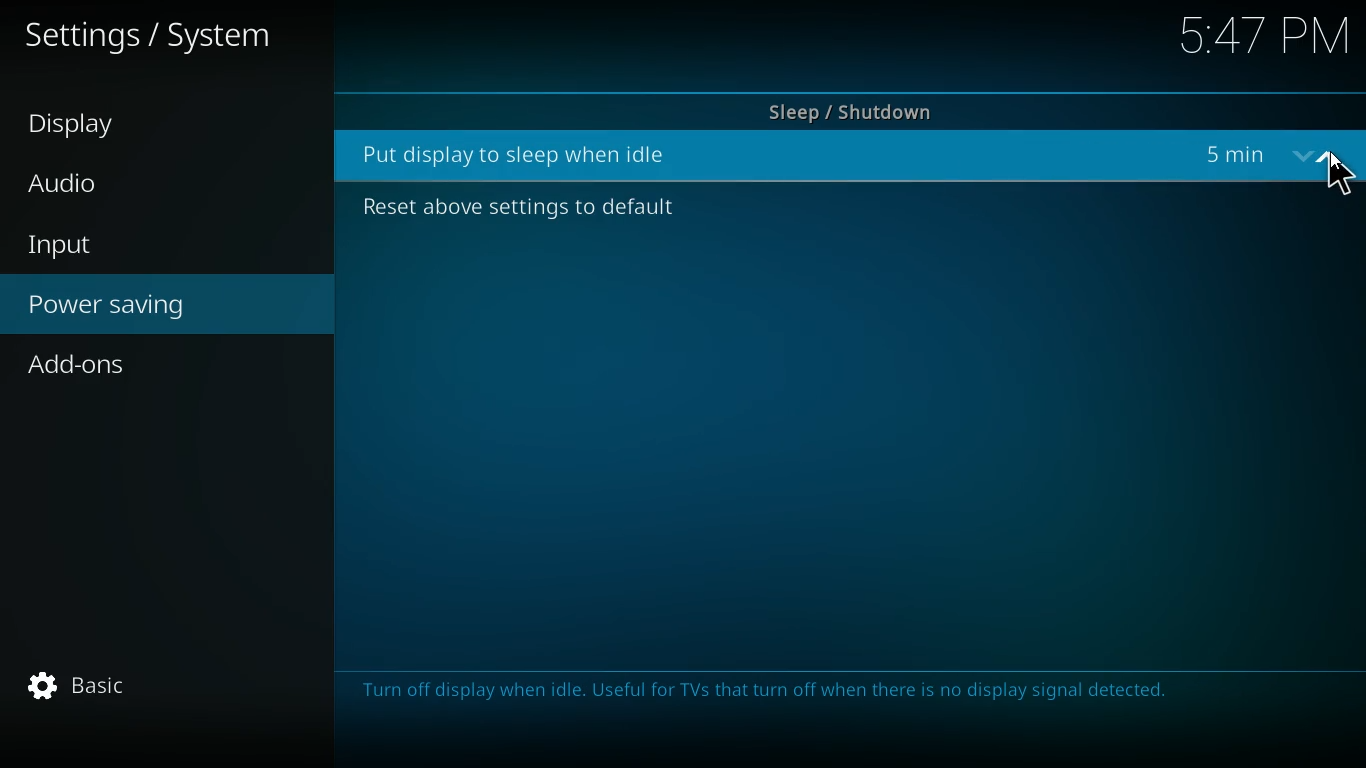  Describe the element at coordinates (510, 210) in the screenshot. I see `reset above settings do default` at that location.